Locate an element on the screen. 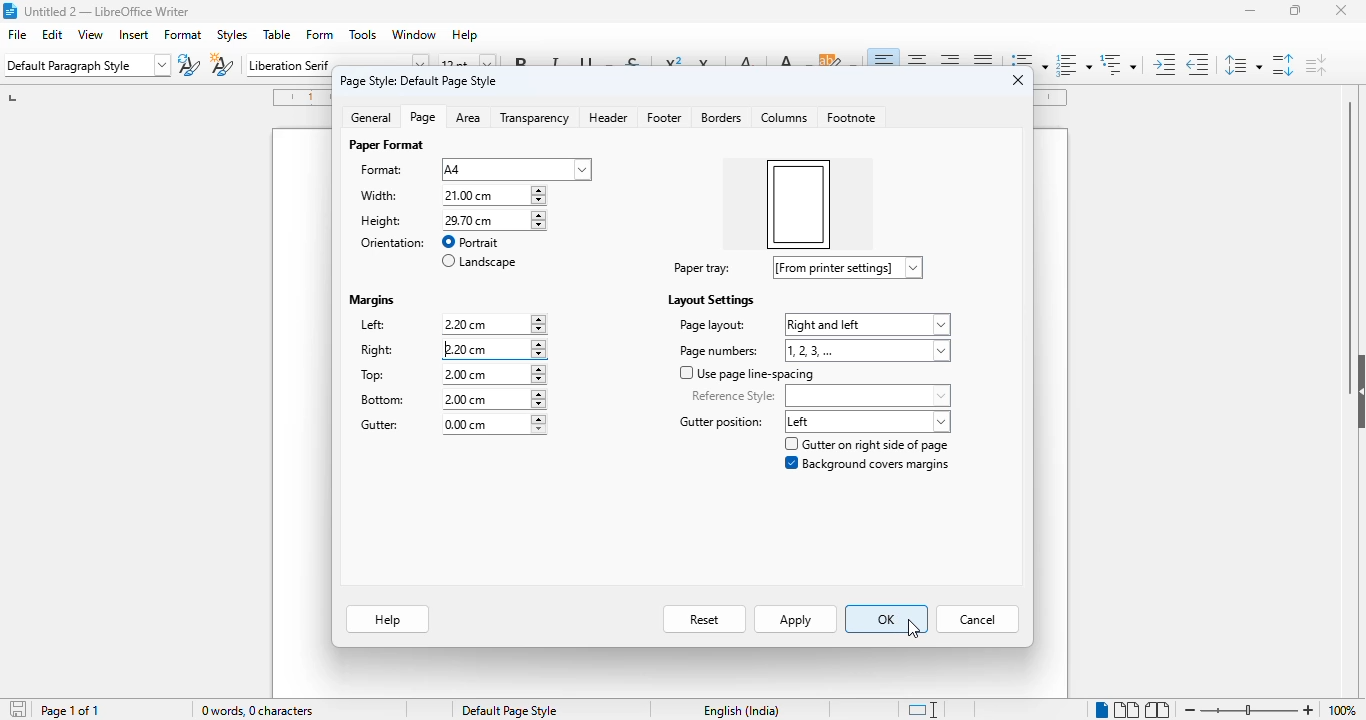  help is located at coordinates (388, 618).